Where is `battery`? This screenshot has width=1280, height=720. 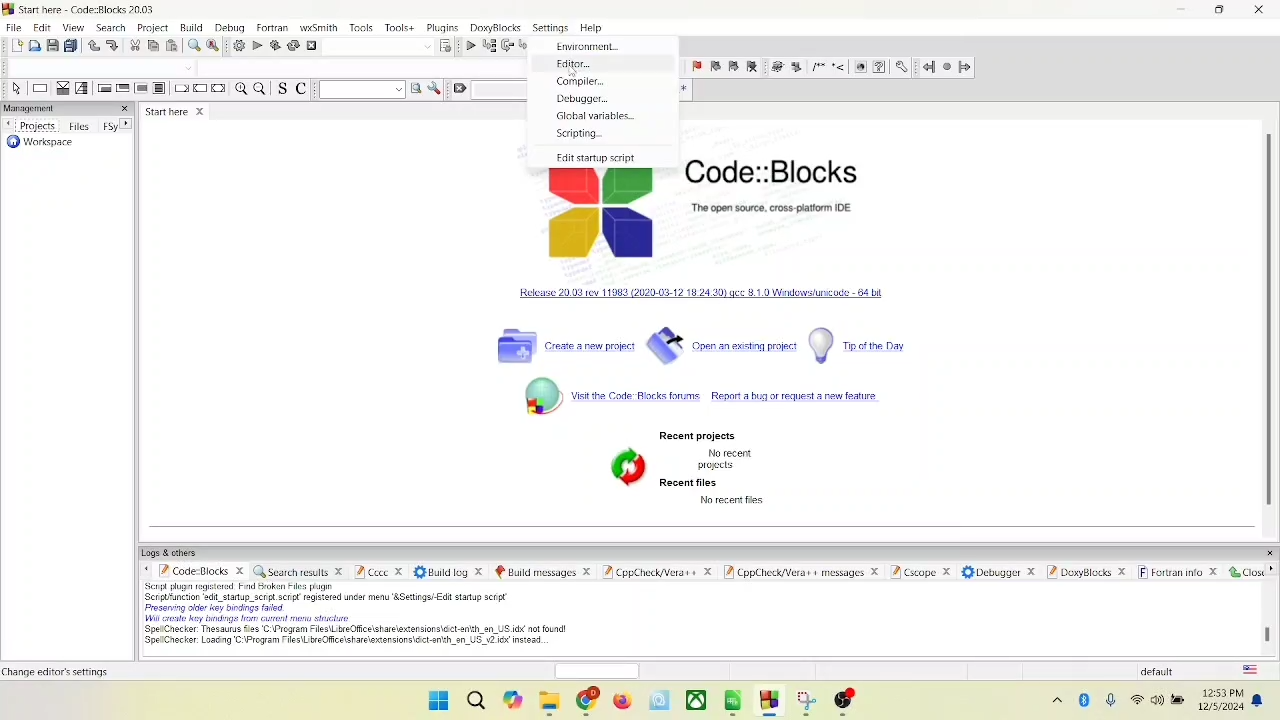
battery is located at coordinates (1178, 697).